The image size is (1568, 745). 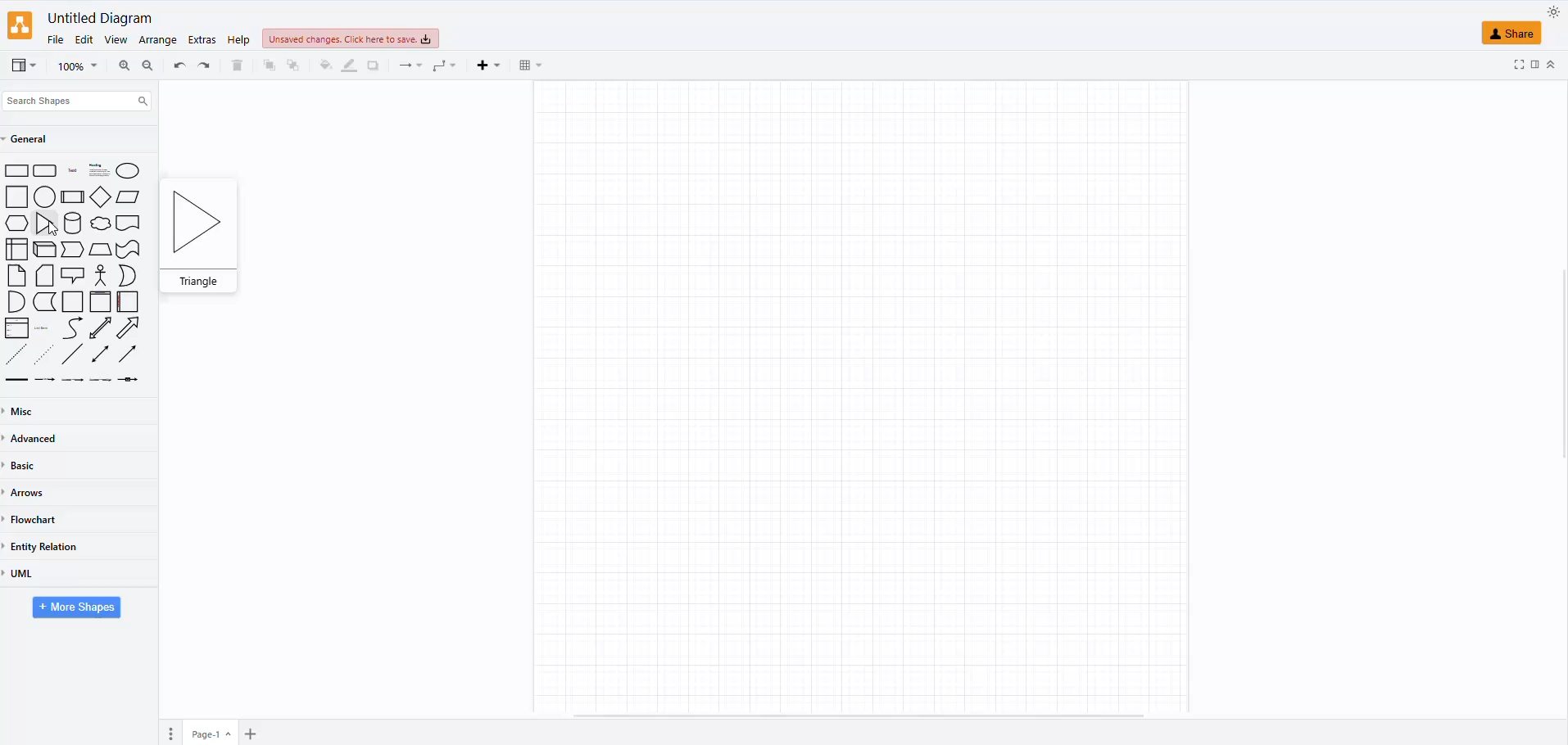 What do you see at coordinates (70, 66) in the screenshot?
I see `magnifier` at bounding box center [70, 66].